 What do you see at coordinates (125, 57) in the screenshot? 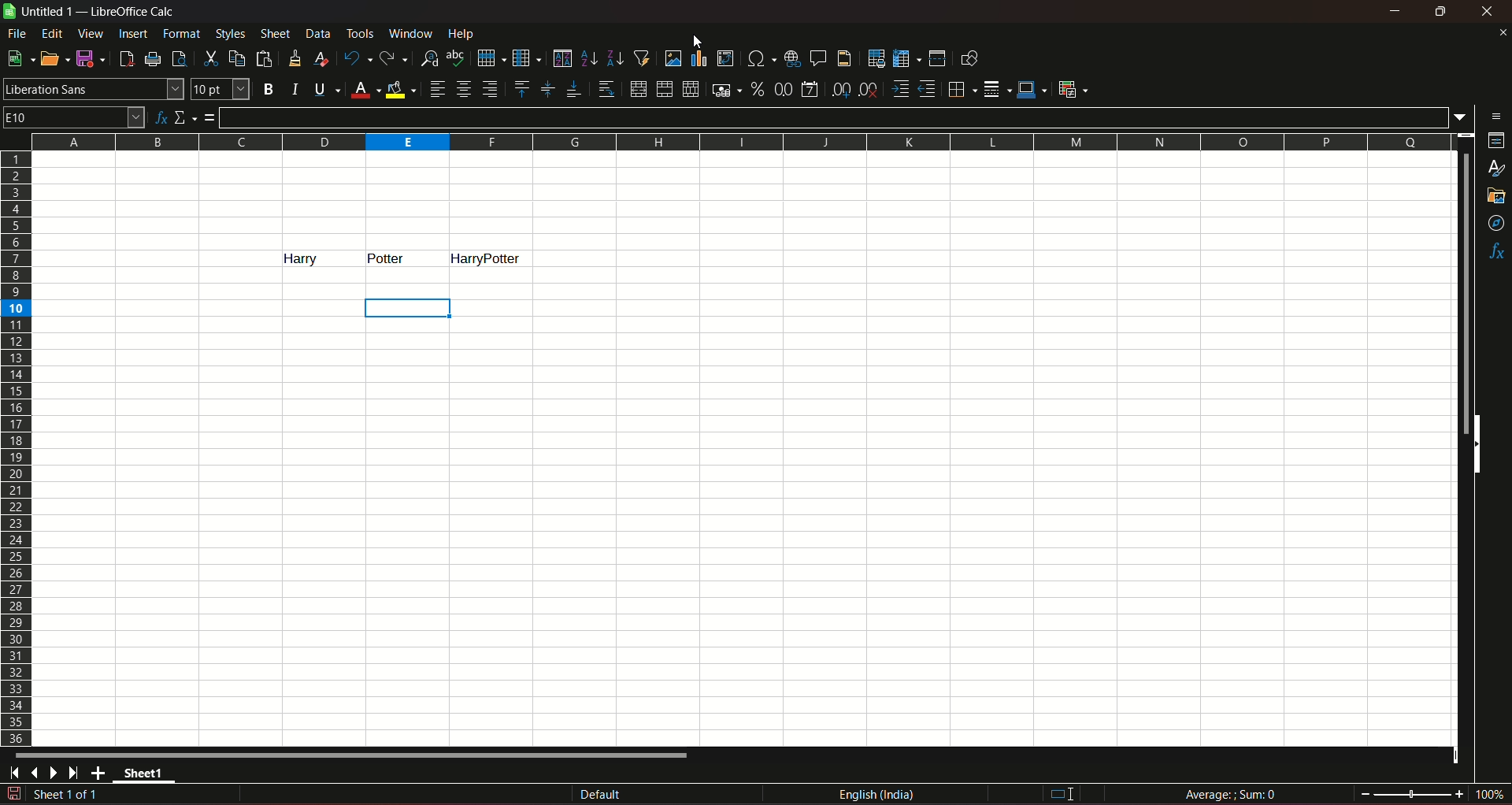
I see `export directly as PDF` at bounding box center [125, 57].